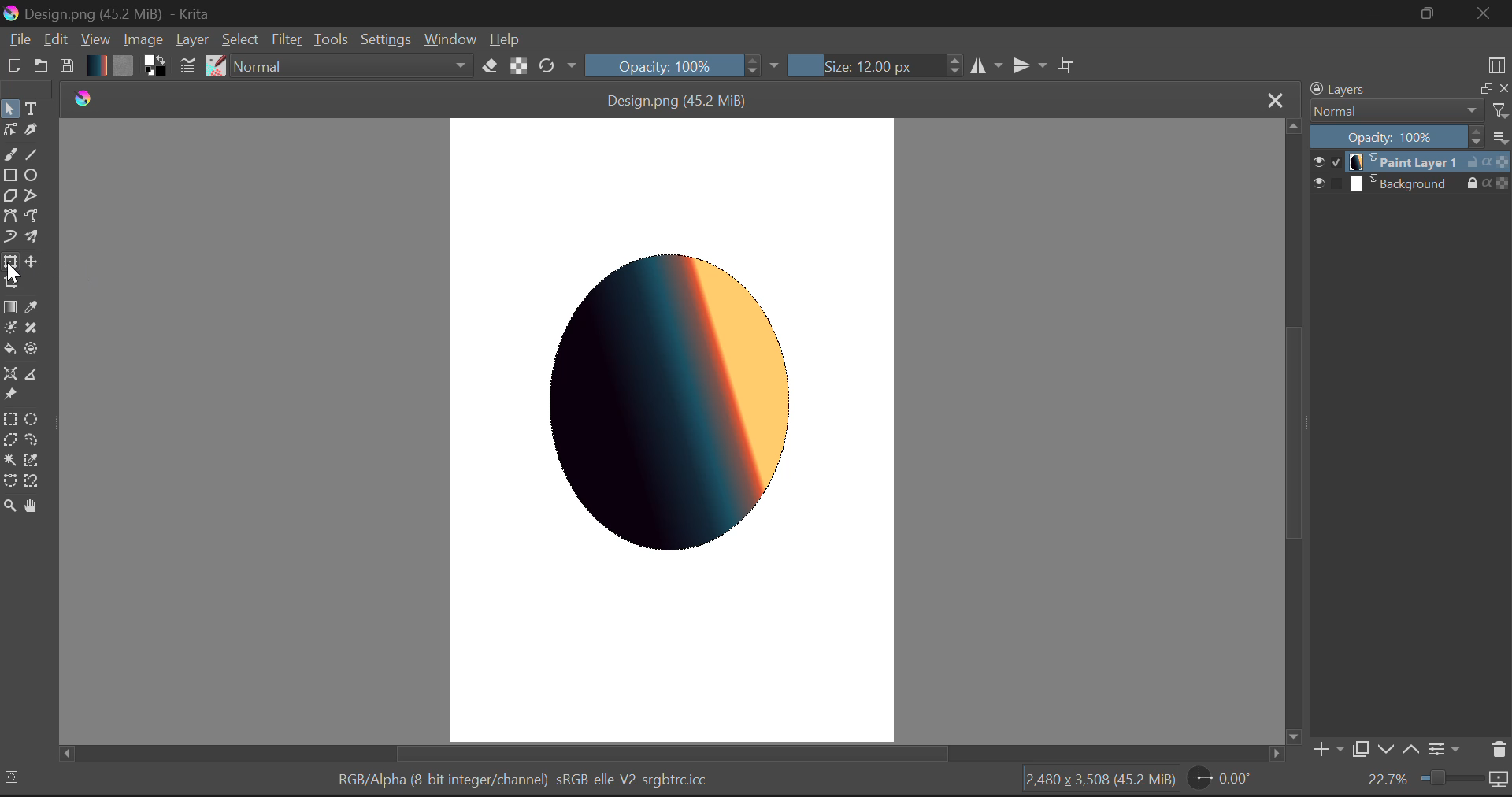 Image resolution: width=1512 pixels, height=797 pixels. What do you see at coordinates (1327, 750) in the screenshot?
I see `Add Layer` at bounding box center [1327, 750].